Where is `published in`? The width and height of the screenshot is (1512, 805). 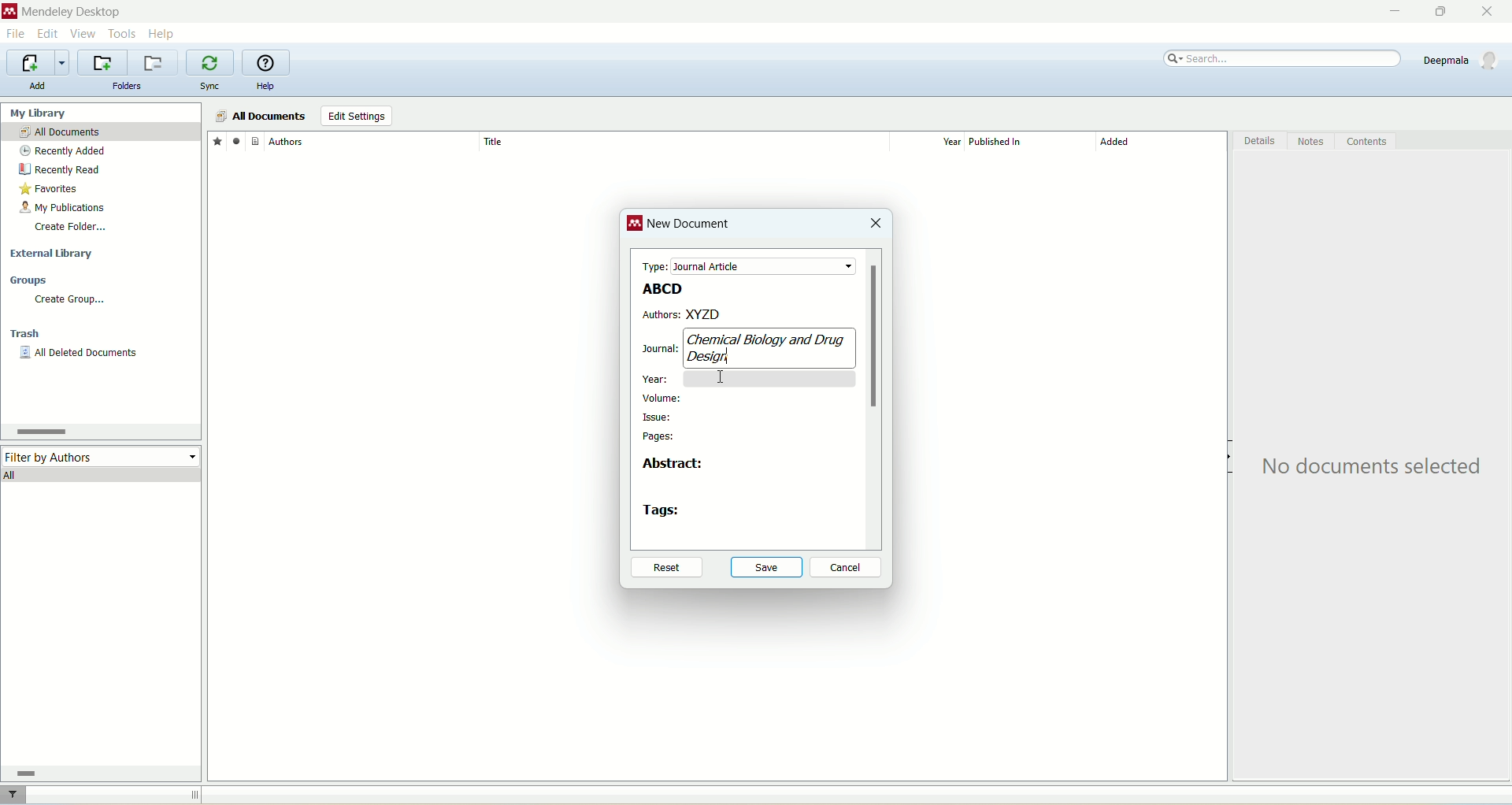
published in is located at coordinates (1024, 142).